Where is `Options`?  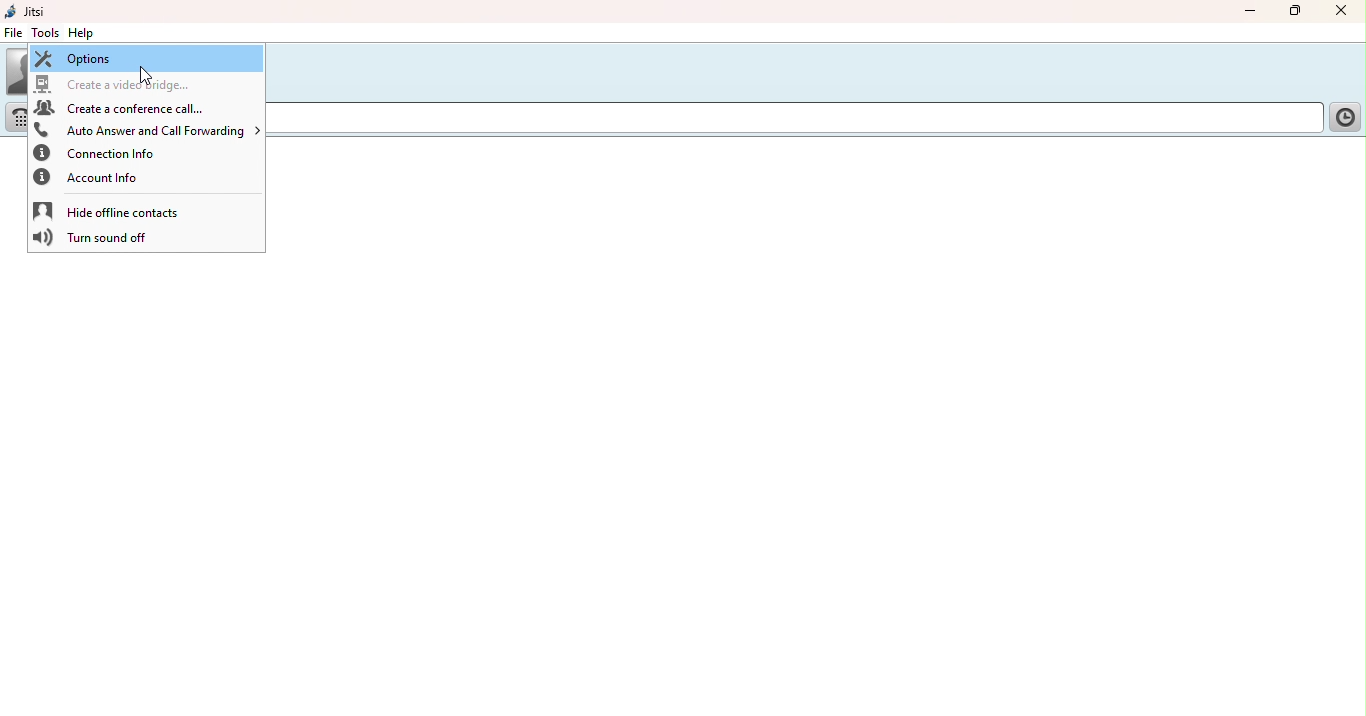 Options is located at coordinates (145, 57).